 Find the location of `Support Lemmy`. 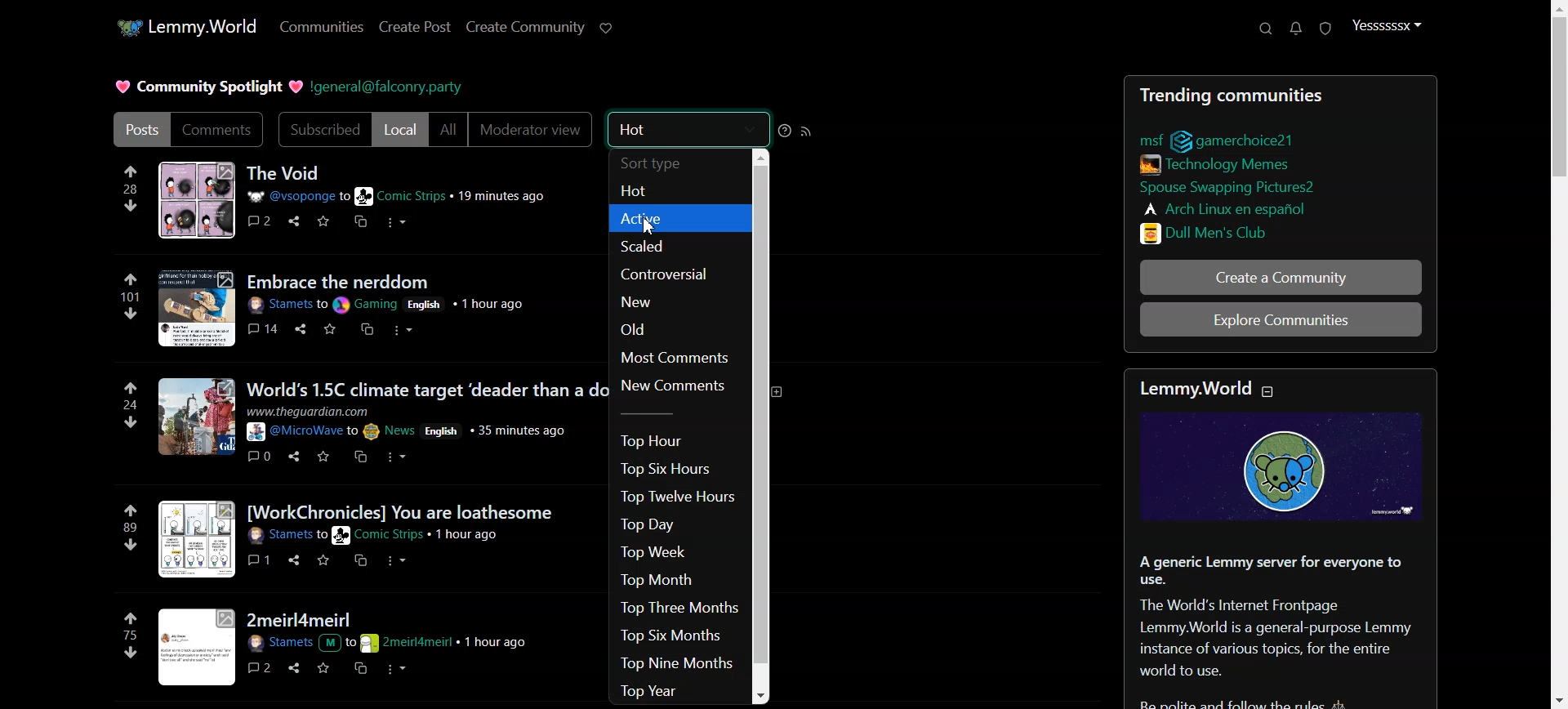

Support Lemmy is located at coordinates (607, 27).